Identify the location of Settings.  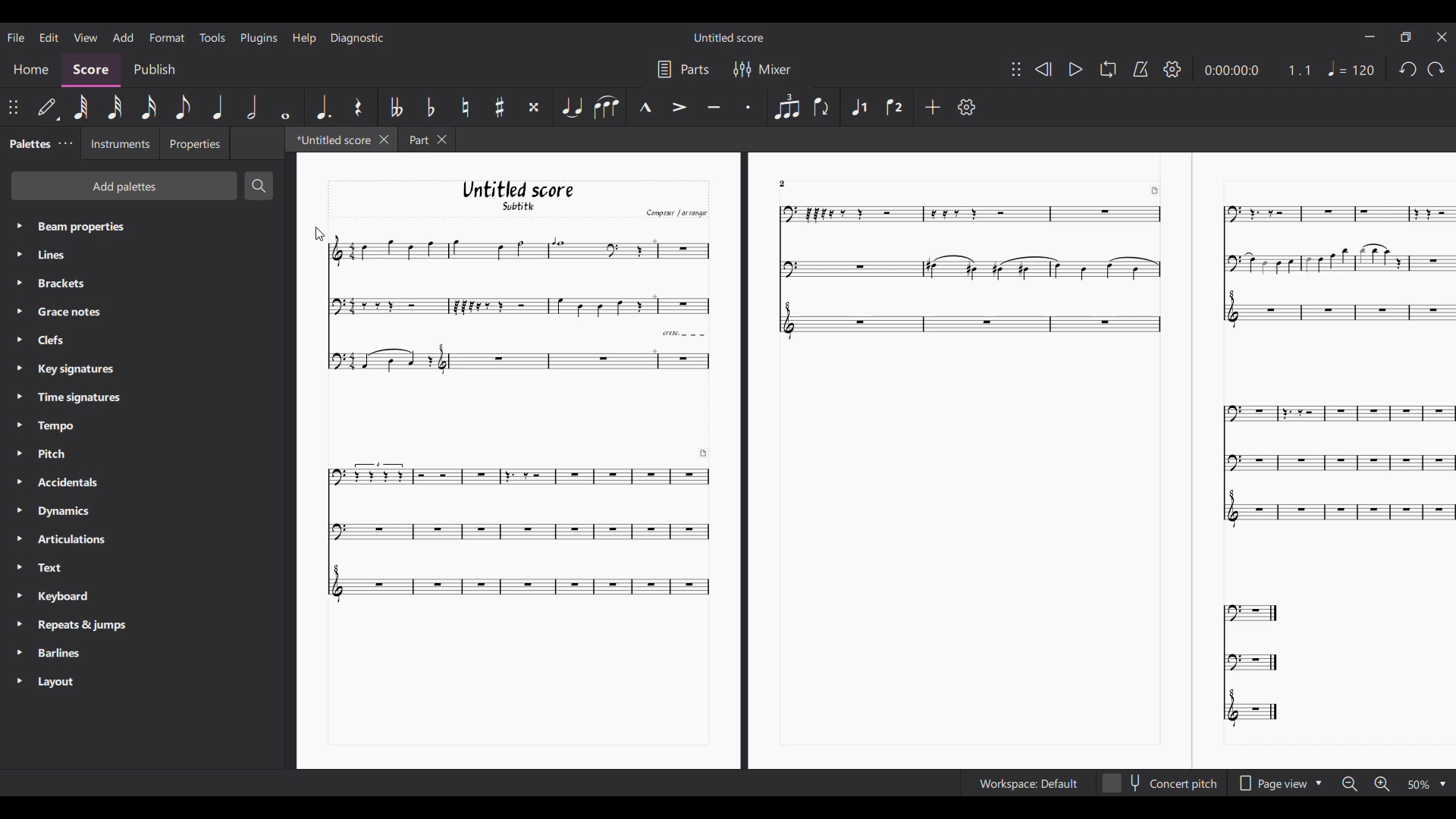
(966, 107).